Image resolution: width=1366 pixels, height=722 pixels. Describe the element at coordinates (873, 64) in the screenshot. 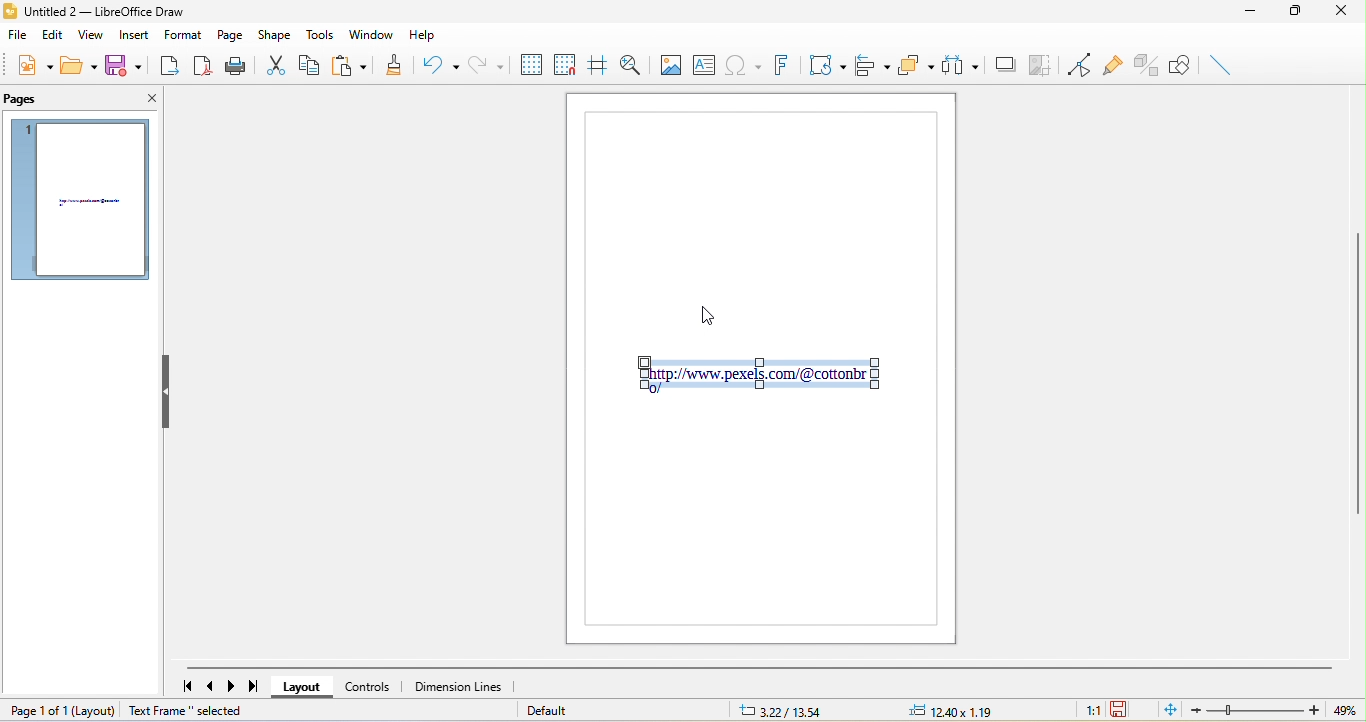

I see `align object` at that location.